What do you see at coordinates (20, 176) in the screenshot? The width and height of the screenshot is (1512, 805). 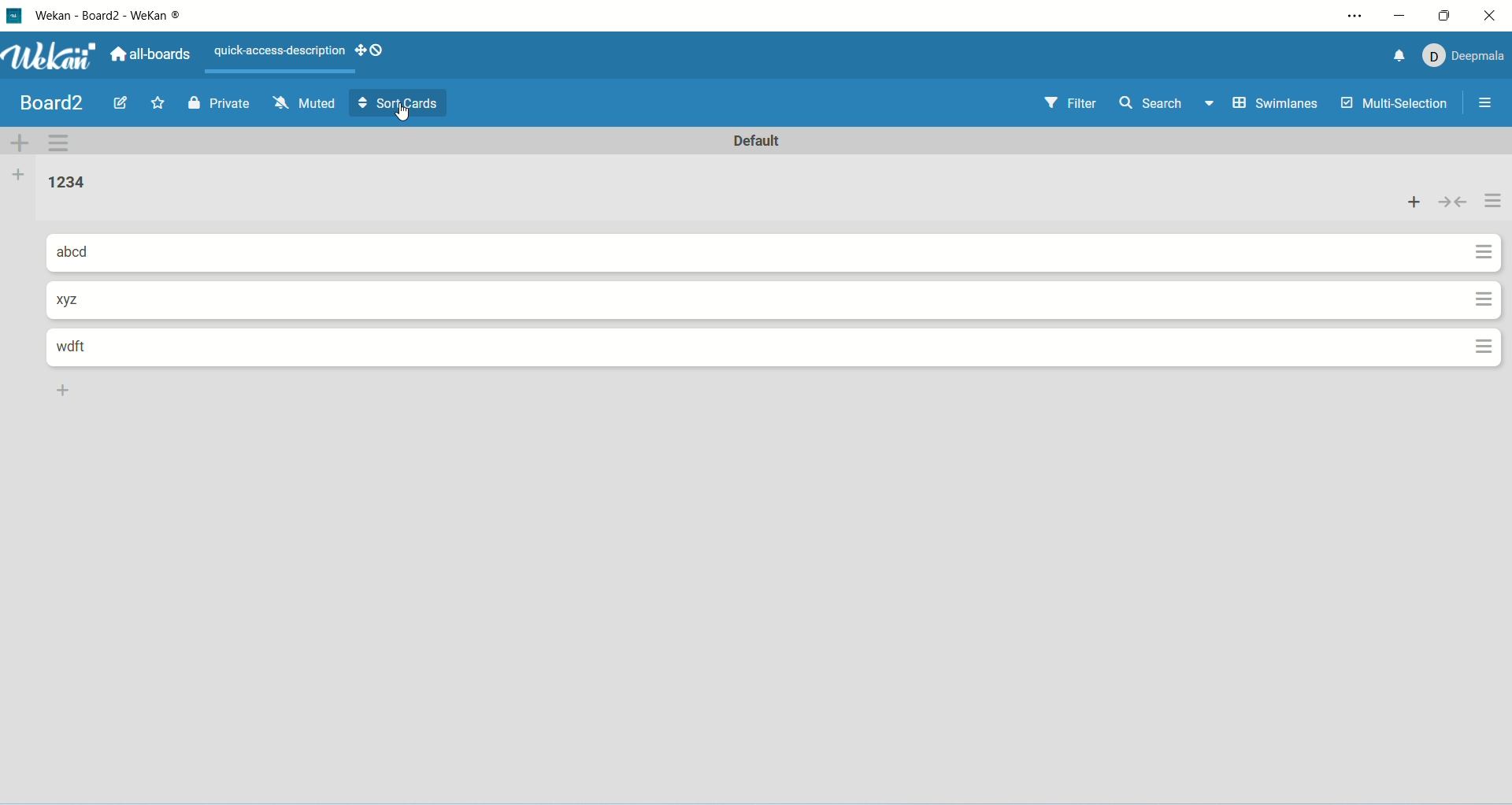 I see `add list` at bounding box center [20, 176].